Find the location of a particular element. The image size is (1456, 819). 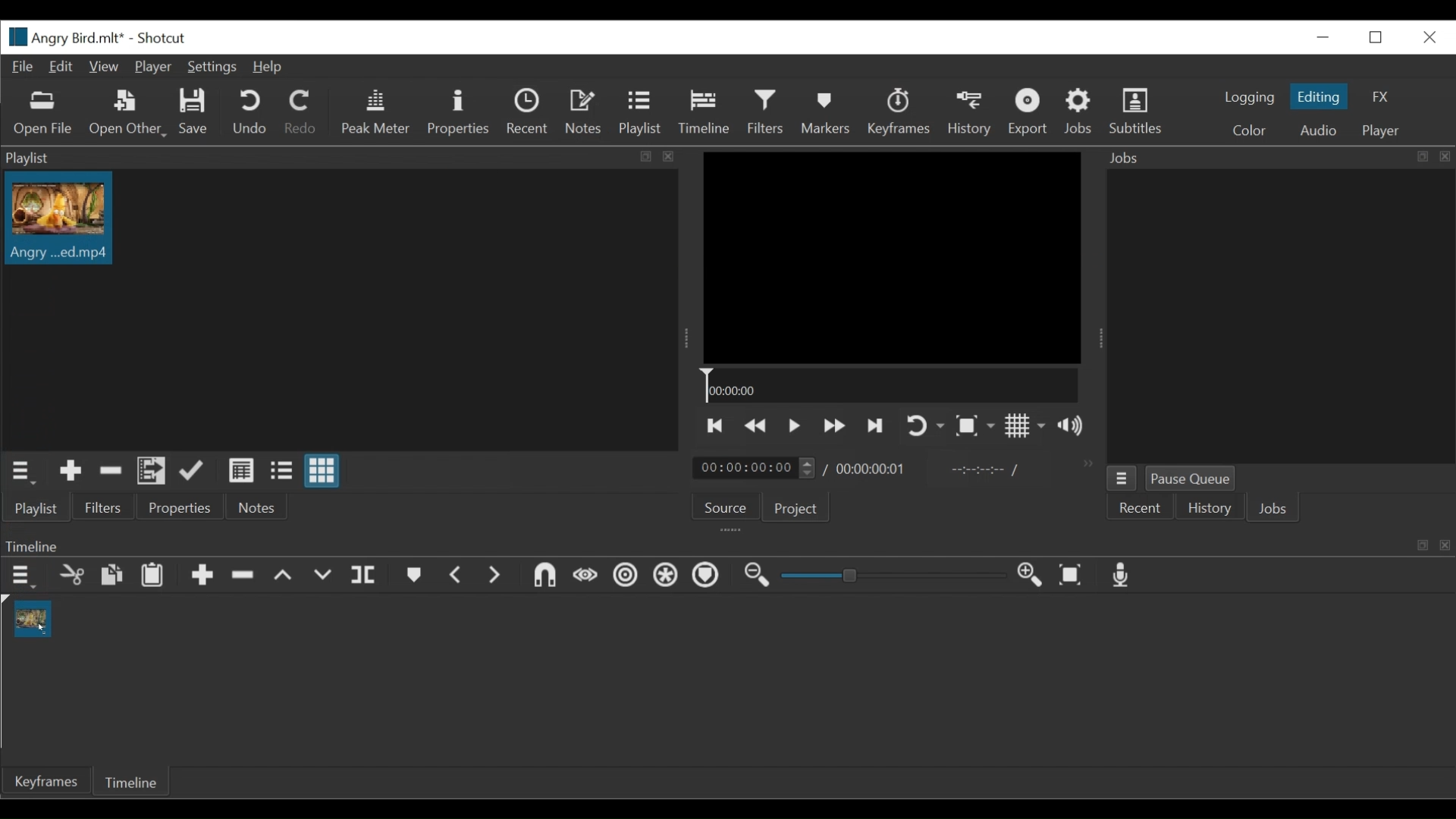

Settings is located at coordinates (211, 67).